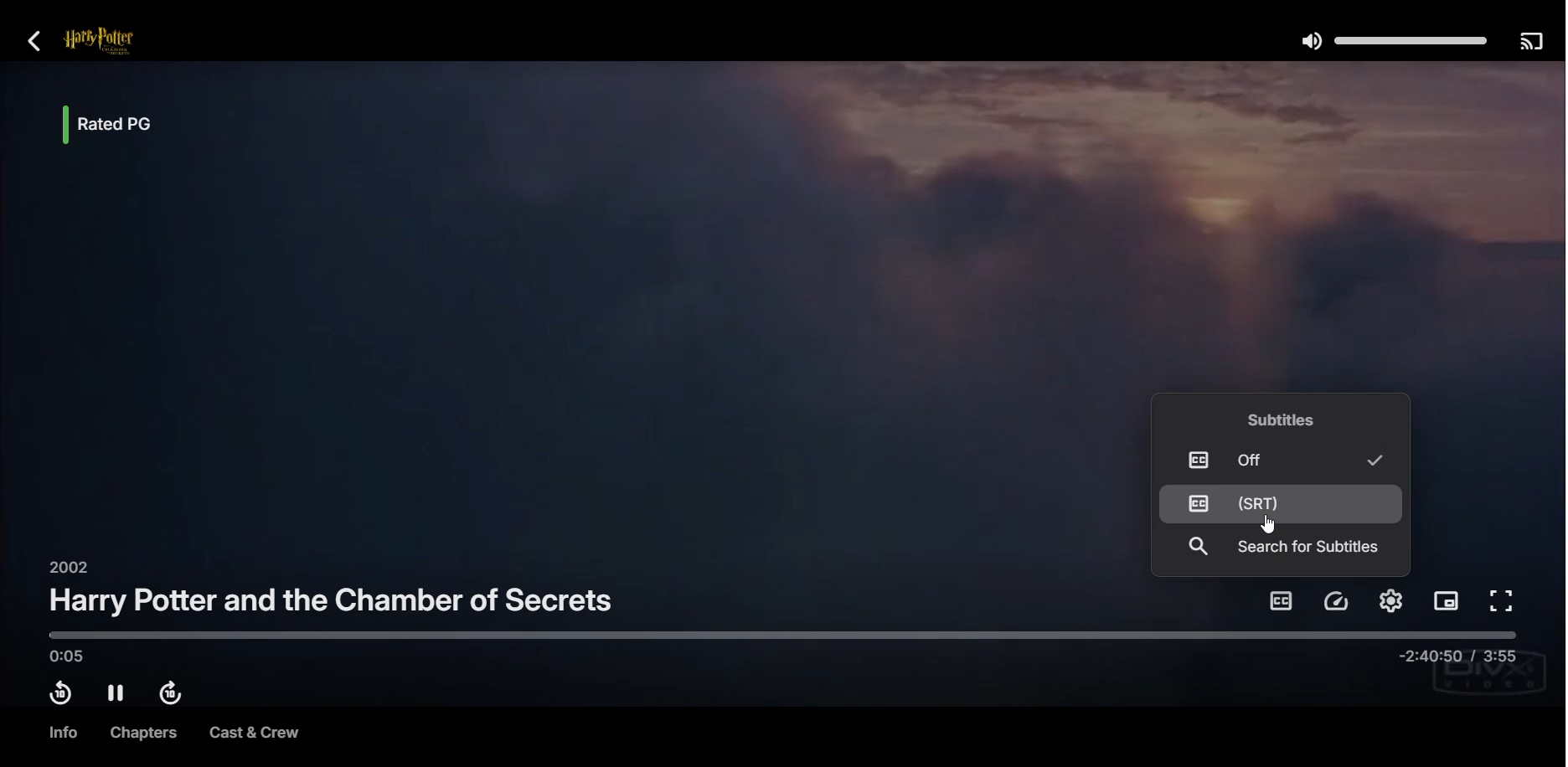 This screenshot has height=767, width=1568. I want to click on Movie Timeline, so click(783, 646).